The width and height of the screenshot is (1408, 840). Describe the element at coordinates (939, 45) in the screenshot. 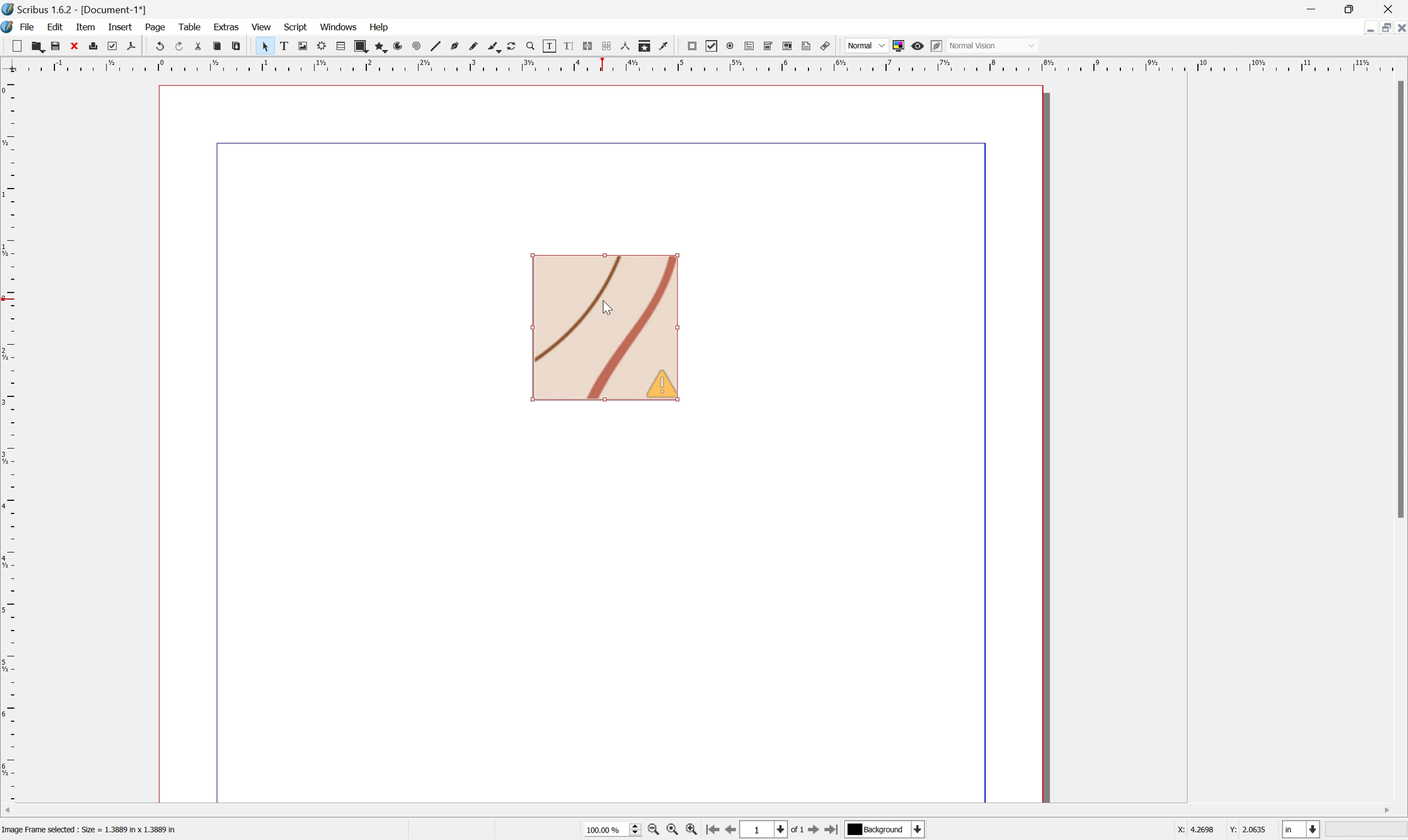

I see `Edit in preview mode` at that location.